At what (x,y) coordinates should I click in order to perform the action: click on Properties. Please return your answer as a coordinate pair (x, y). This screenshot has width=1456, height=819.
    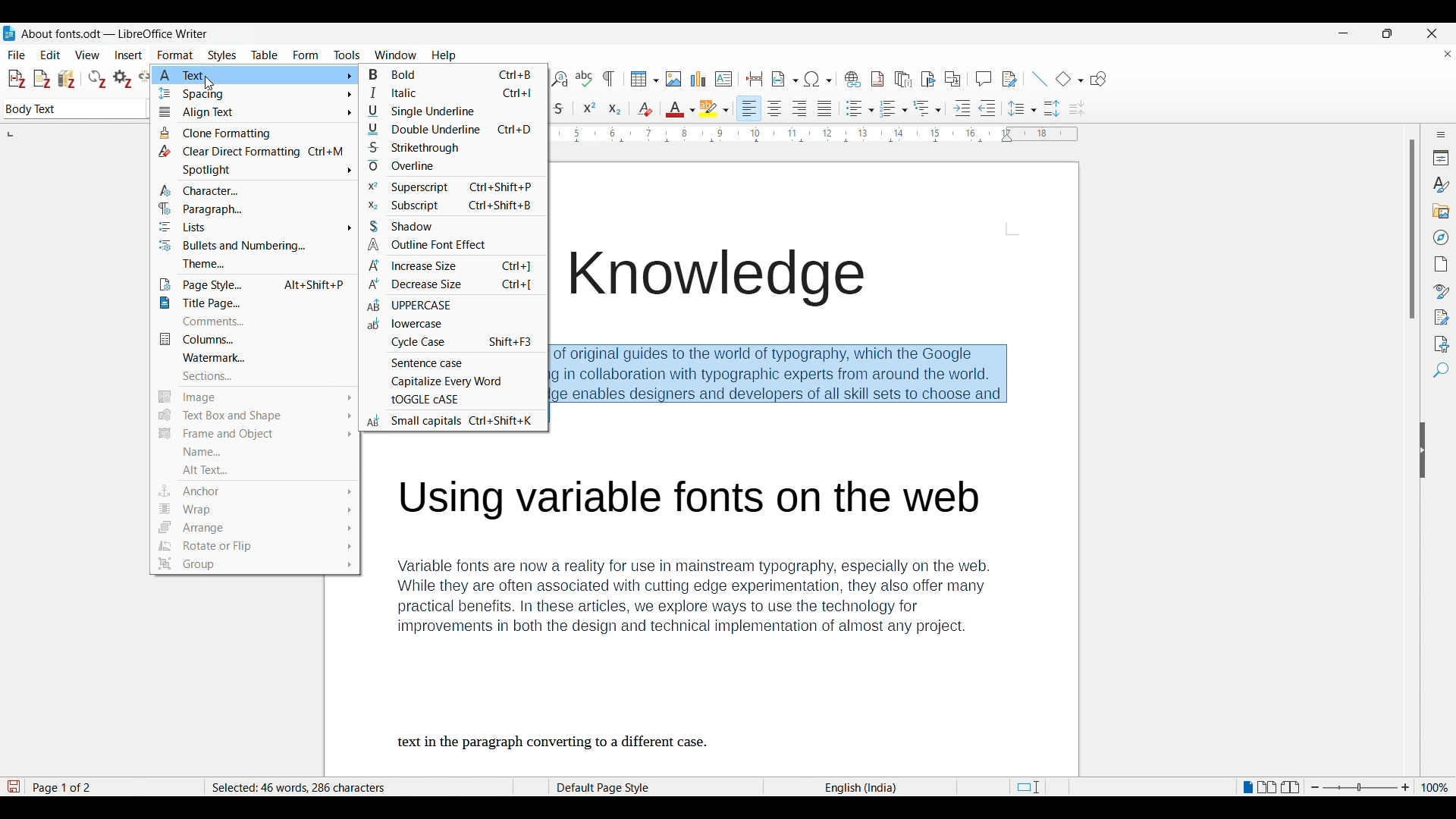
    Looking at the image, I should click on (1442, 158).